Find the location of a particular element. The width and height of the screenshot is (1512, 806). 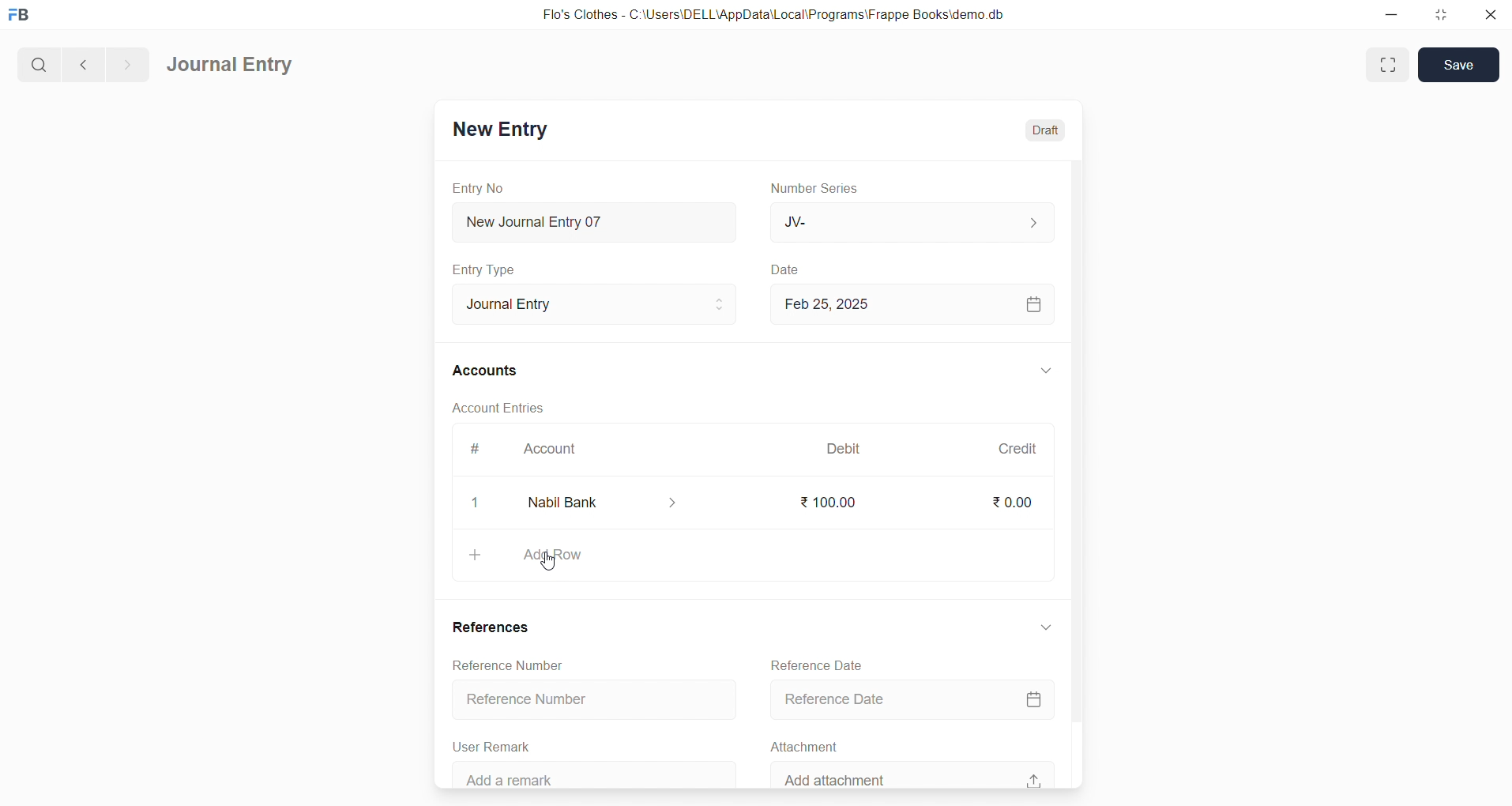

Account Entries is located at coordinates (500, 410).